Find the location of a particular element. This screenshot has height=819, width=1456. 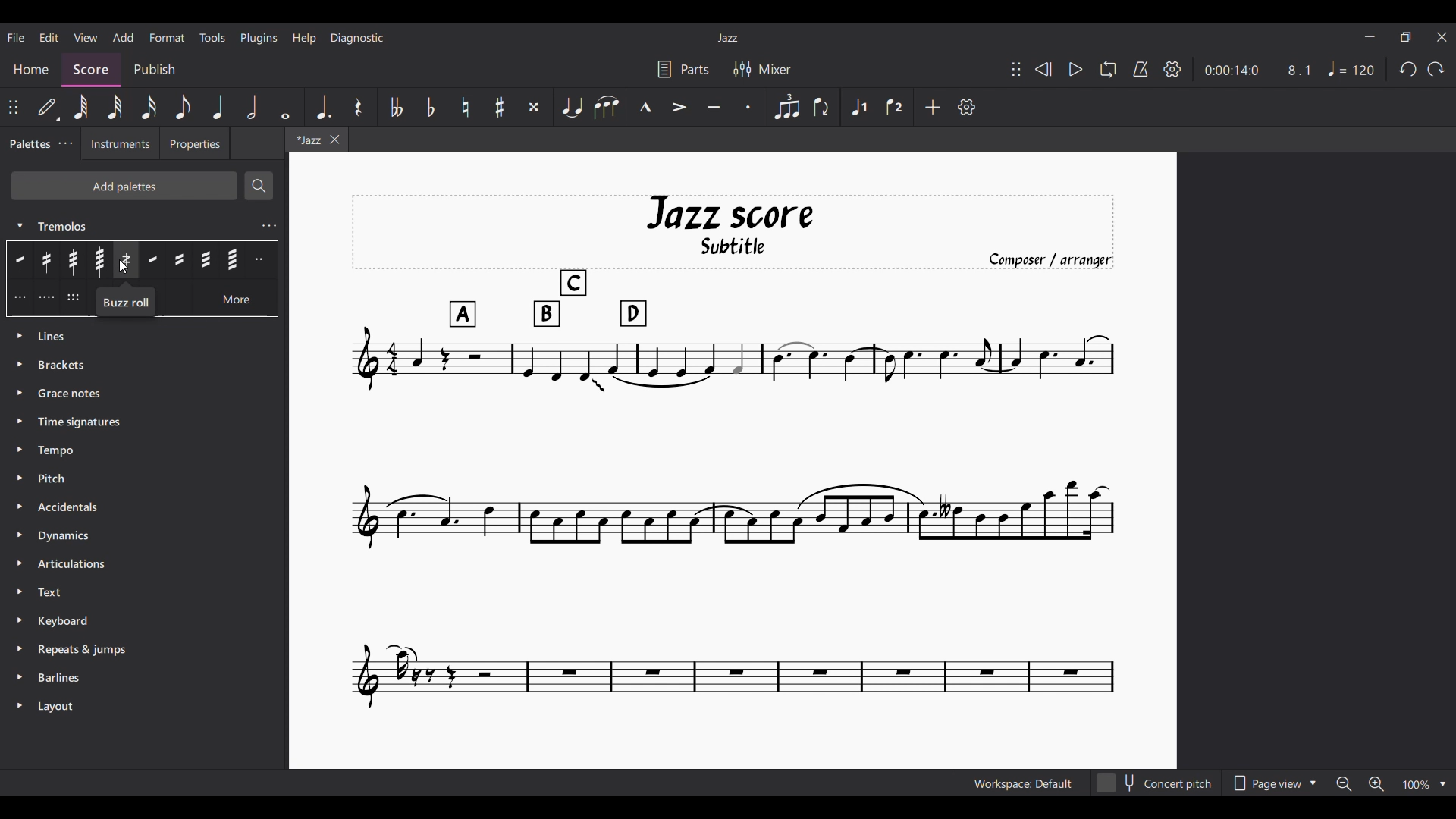

File is located at coordinates (15, 38).